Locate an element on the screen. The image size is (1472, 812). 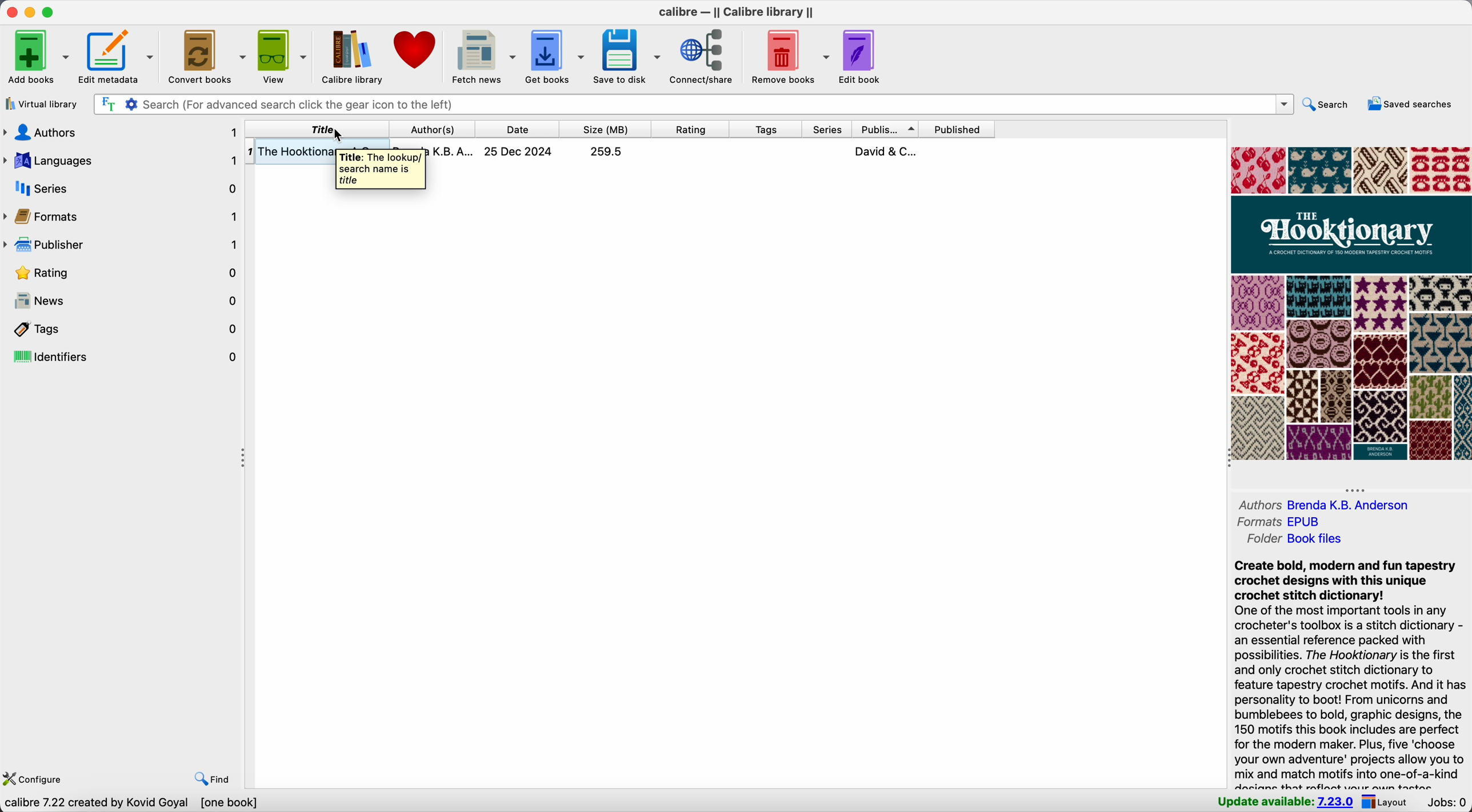
tags is located at coordinates (127, 330).